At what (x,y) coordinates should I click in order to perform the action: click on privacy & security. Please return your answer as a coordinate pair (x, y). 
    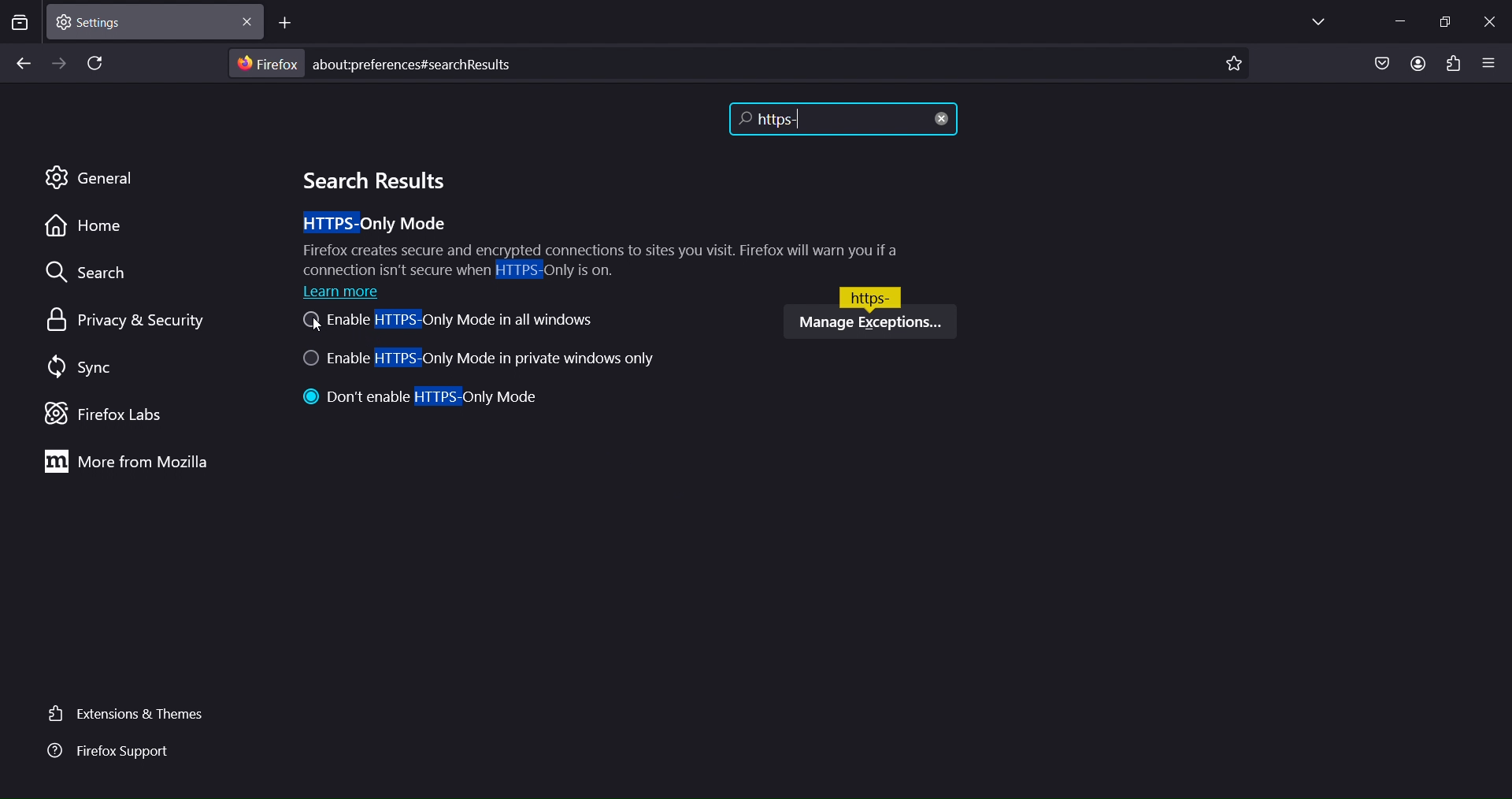
    Looking at the image, I should click on (134, 319).